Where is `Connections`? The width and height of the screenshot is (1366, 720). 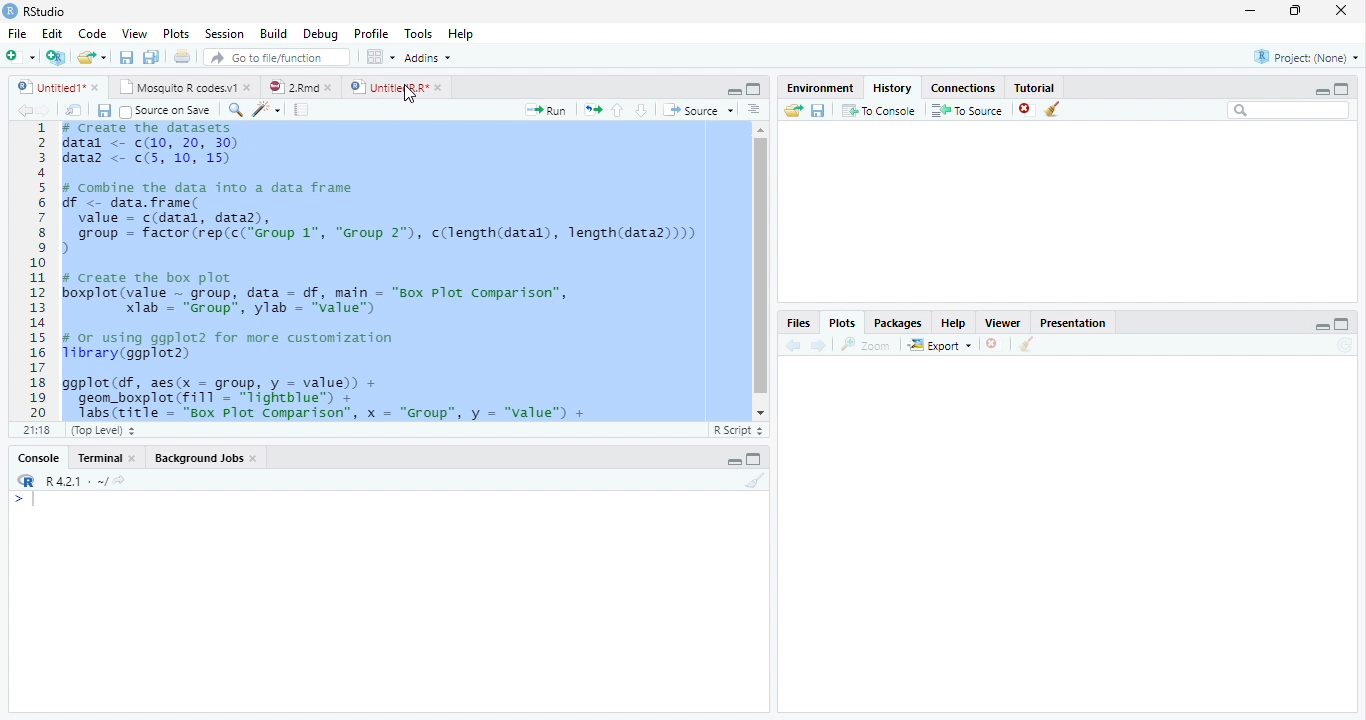 Connections is located at coordinates (963, 88).